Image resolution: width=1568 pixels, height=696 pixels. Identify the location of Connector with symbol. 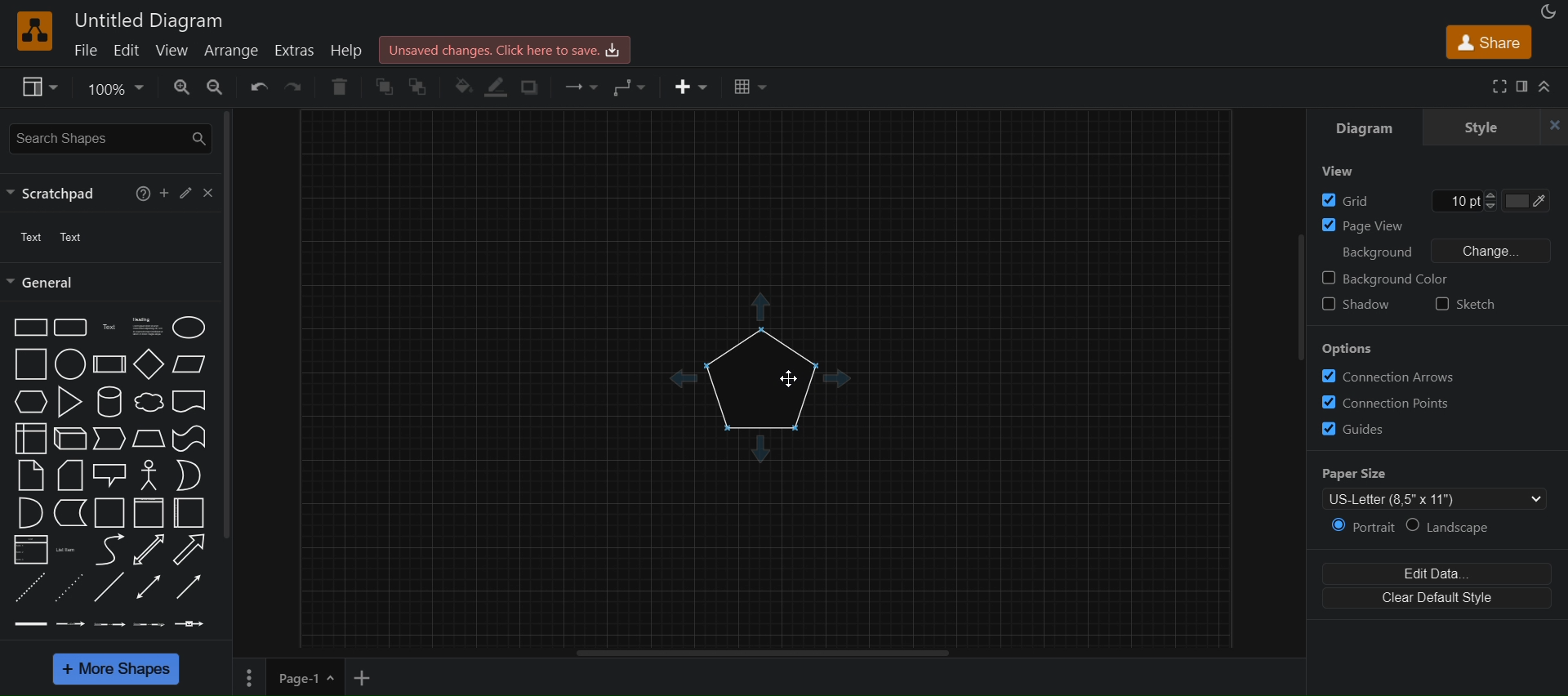
(190, 624).